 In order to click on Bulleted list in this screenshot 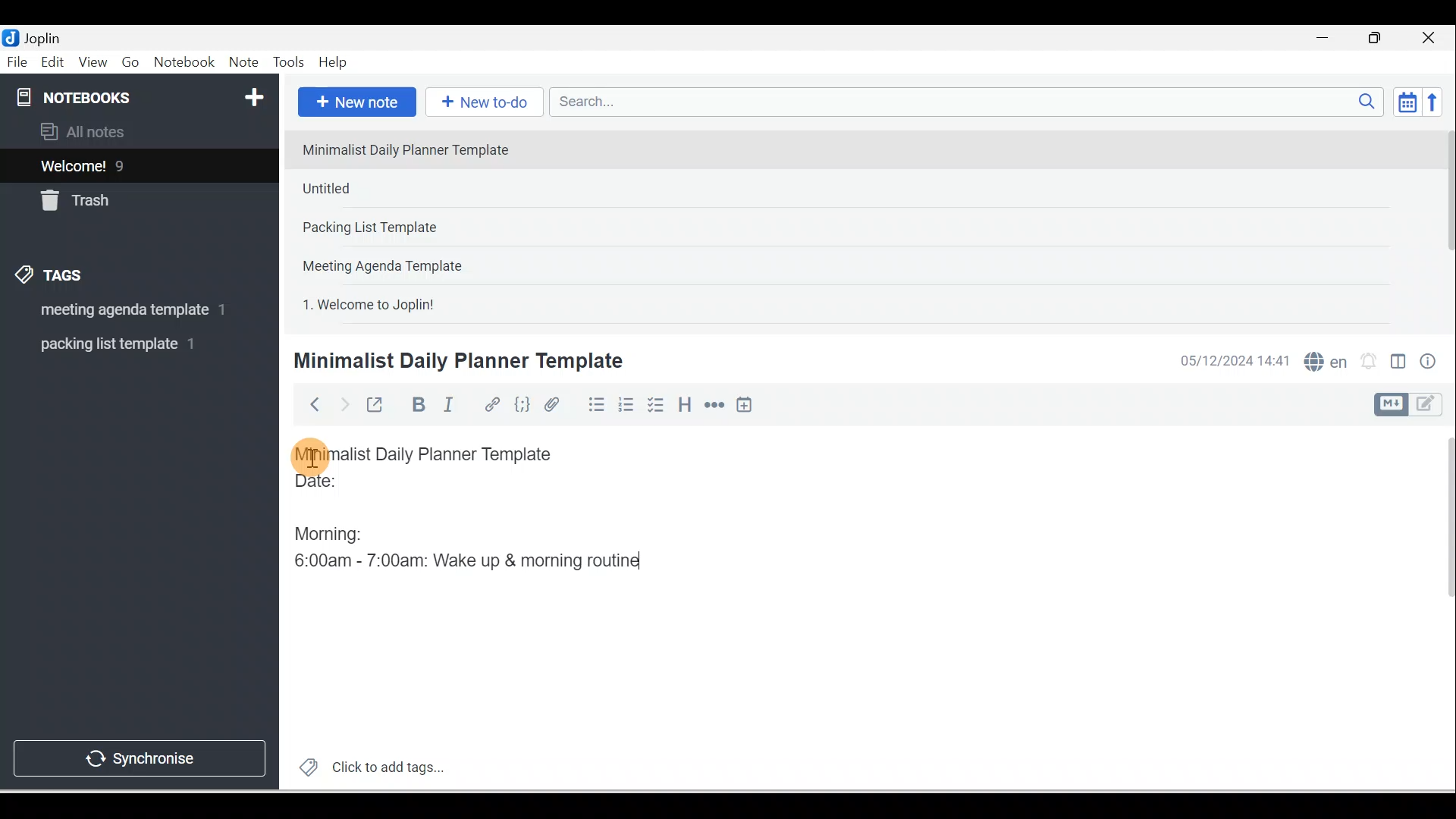, I will do `click(593, 404)`.